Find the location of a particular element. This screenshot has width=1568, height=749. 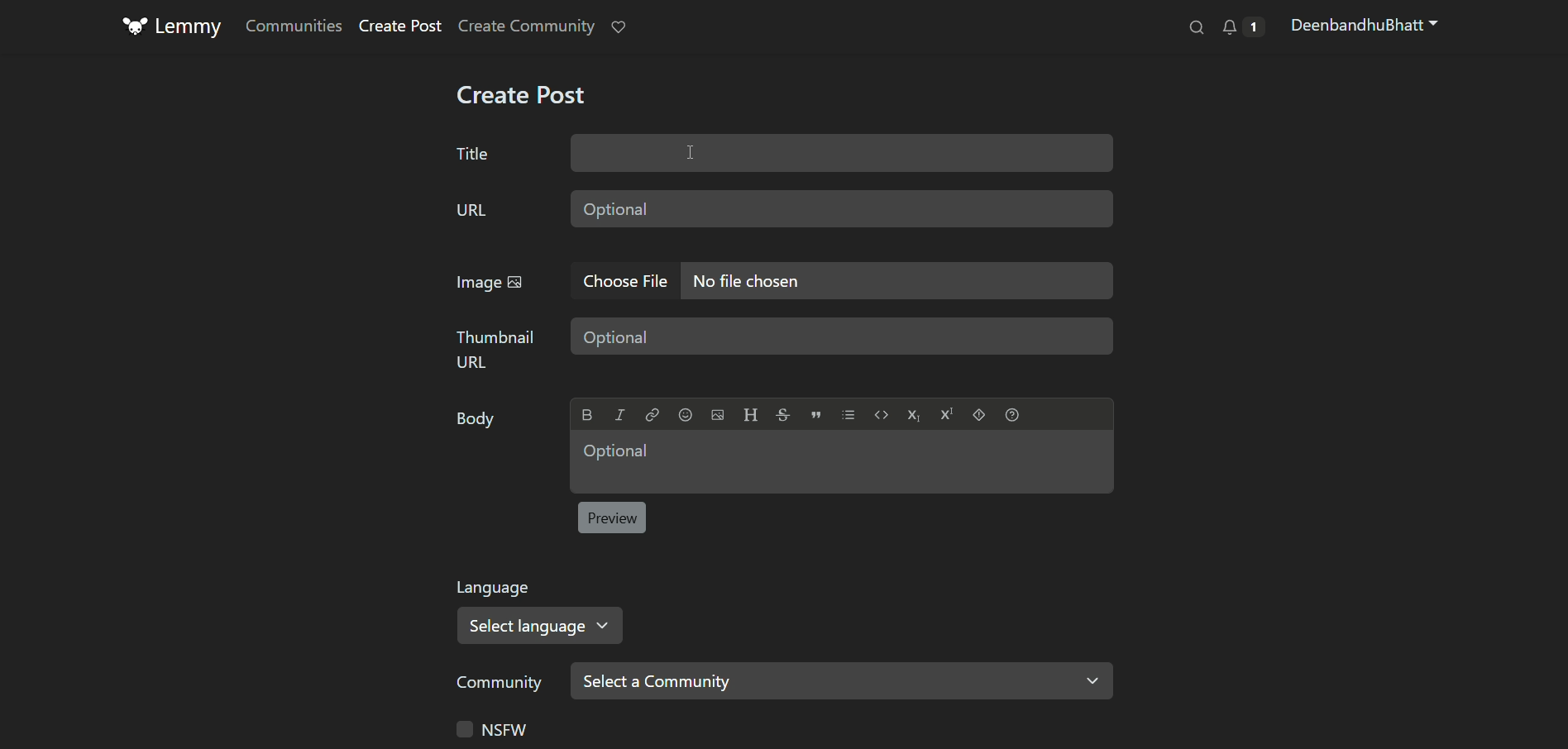

Link is located at coordinates (652, 415).